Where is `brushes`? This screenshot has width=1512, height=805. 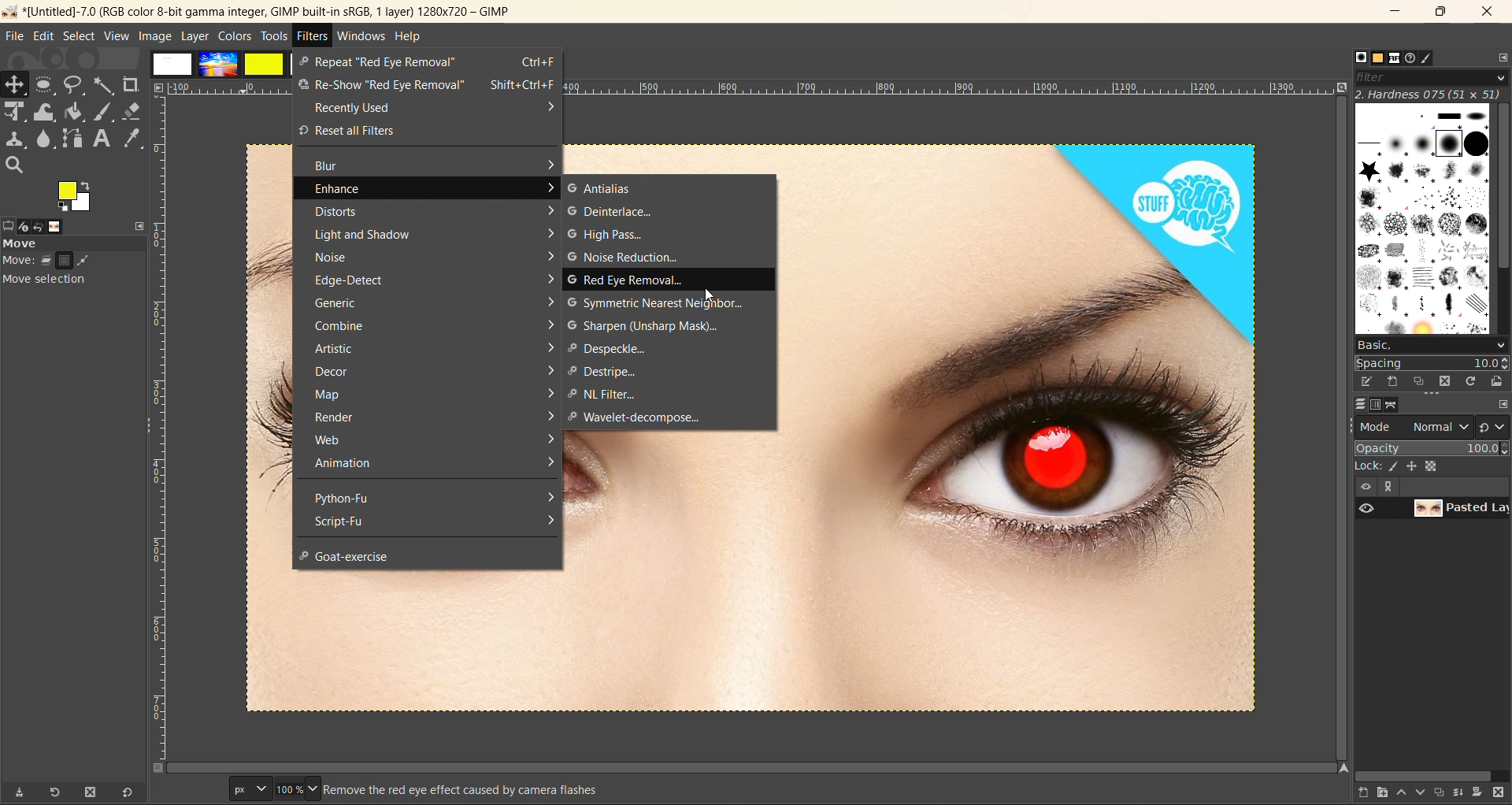 brushes is located at coordinates (1421, 219).